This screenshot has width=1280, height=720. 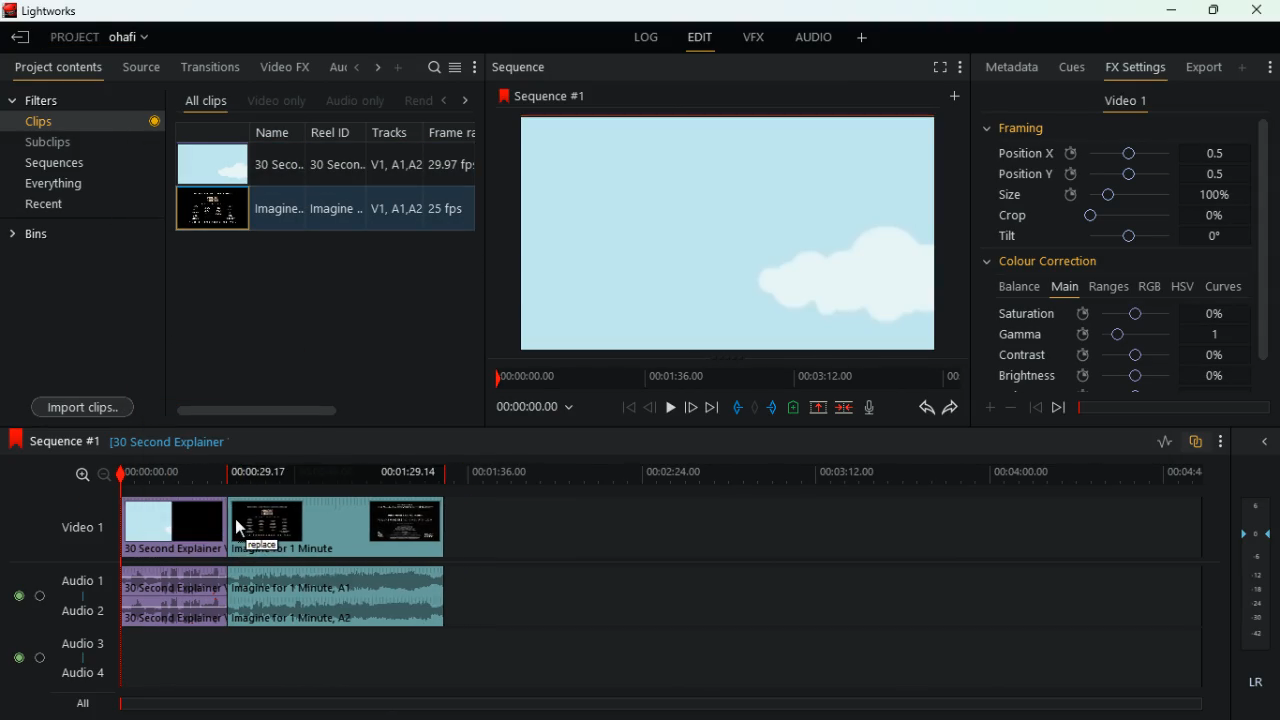 What do you see at coordinates (1114, 217) in the screenshot?
I see `crop` at bounding box center [1114, 217].